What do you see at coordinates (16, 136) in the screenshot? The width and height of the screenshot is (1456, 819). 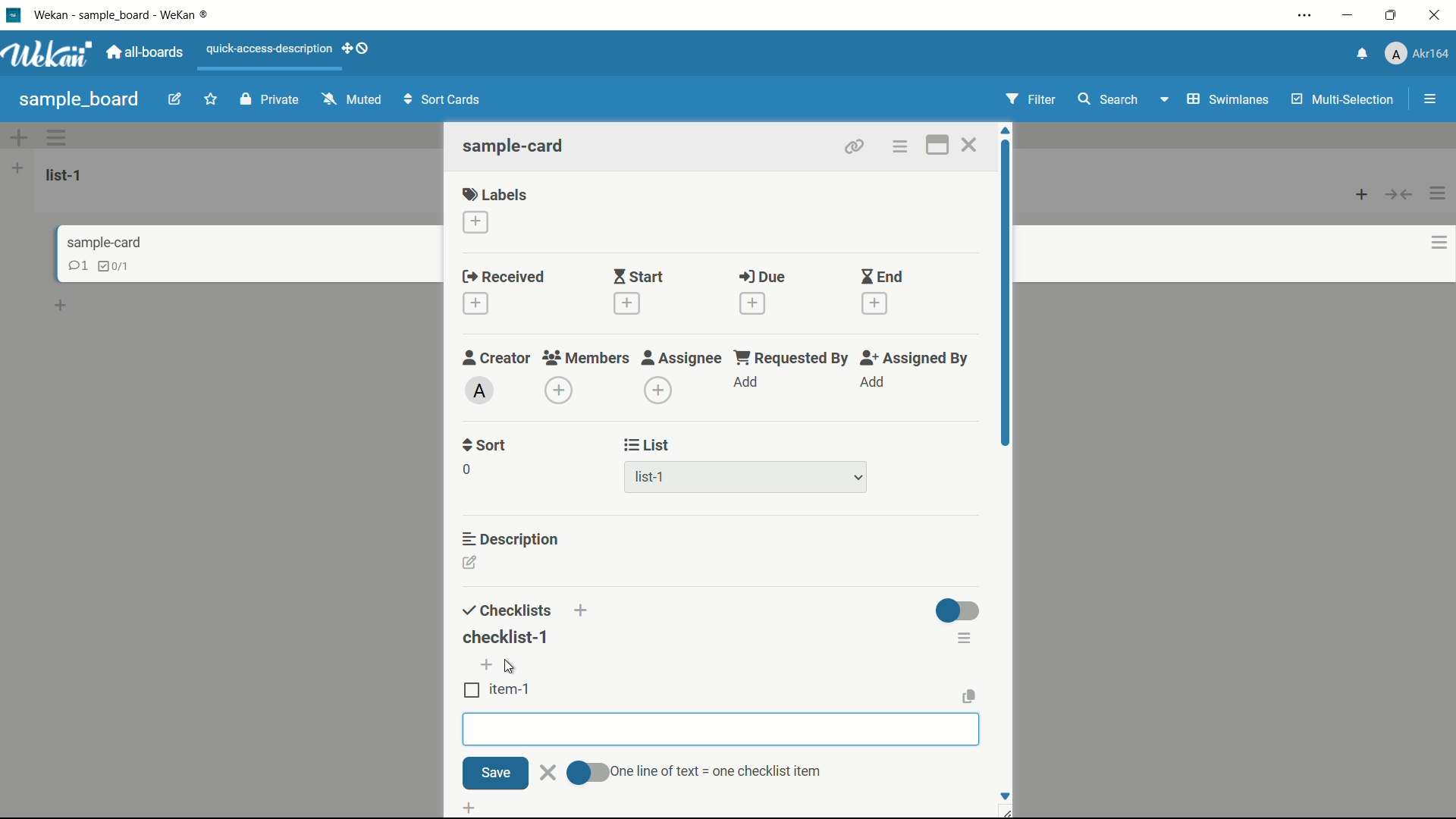 I see `add options` at bounding box center [16, 136].